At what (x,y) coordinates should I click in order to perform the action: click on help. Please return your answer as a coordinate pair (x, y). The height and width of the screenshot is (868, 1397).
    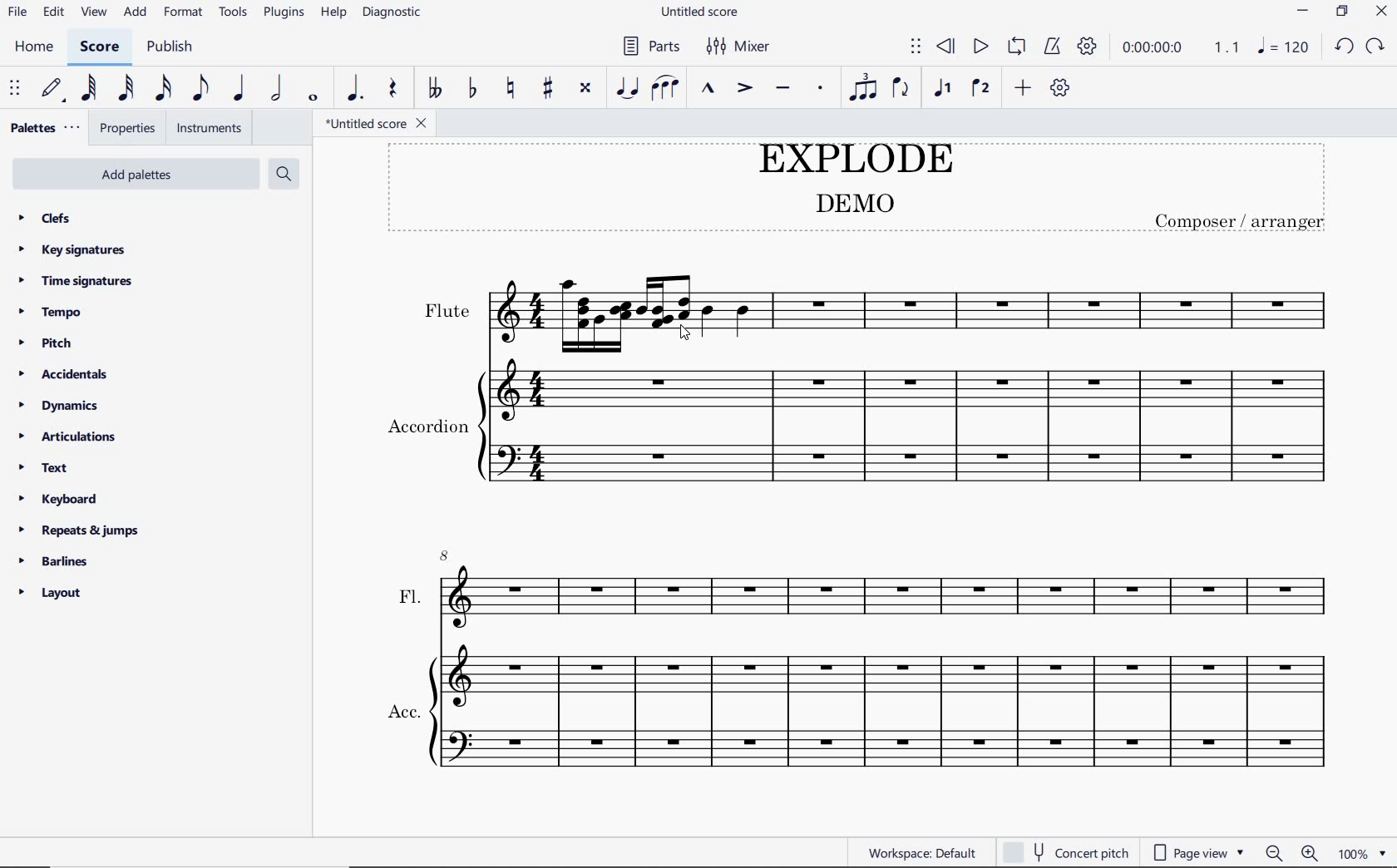
    Looking at the image, I should click on (333, 12).